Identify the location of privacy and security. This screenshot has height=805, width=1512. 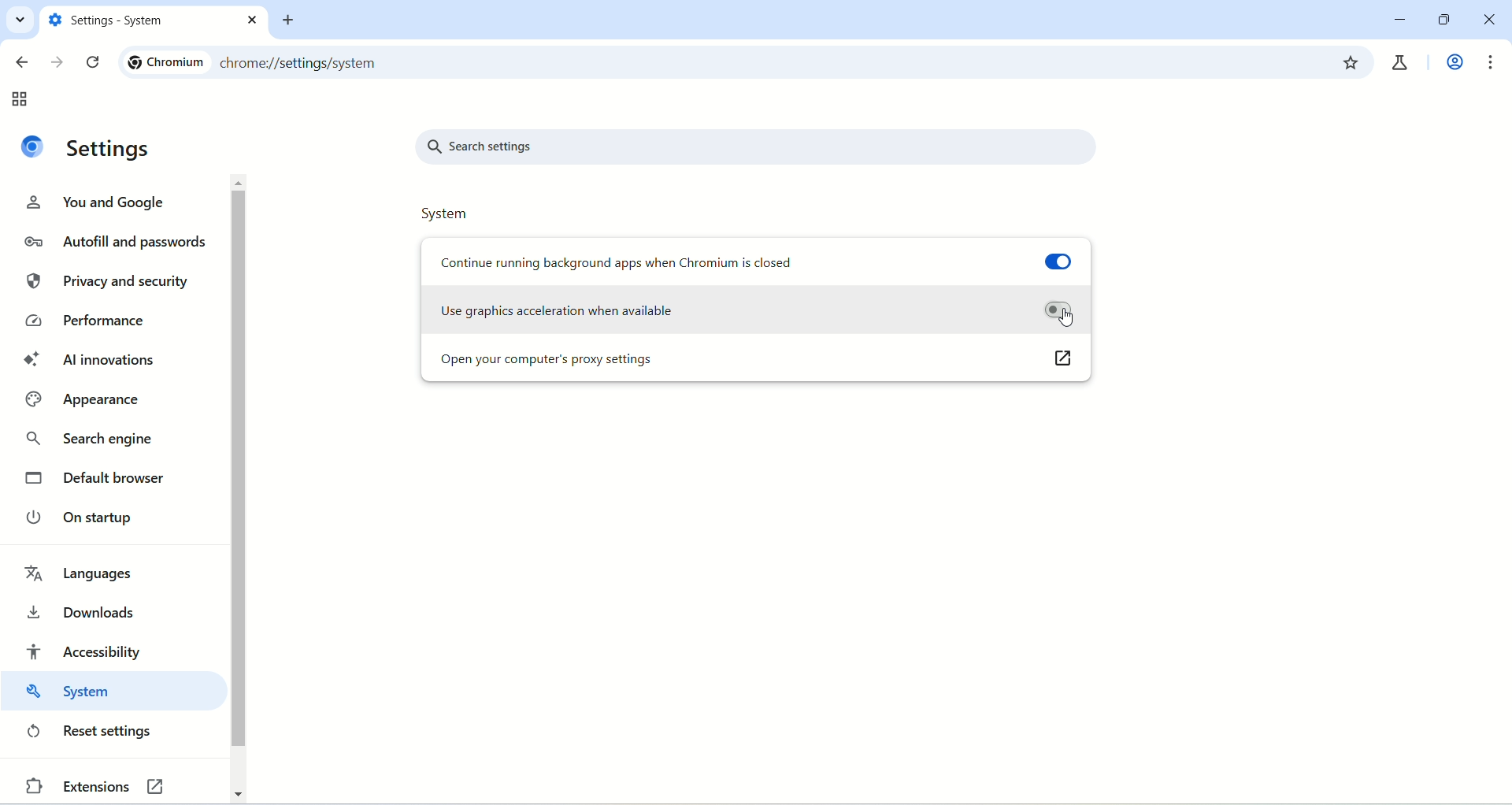
(106, 279).